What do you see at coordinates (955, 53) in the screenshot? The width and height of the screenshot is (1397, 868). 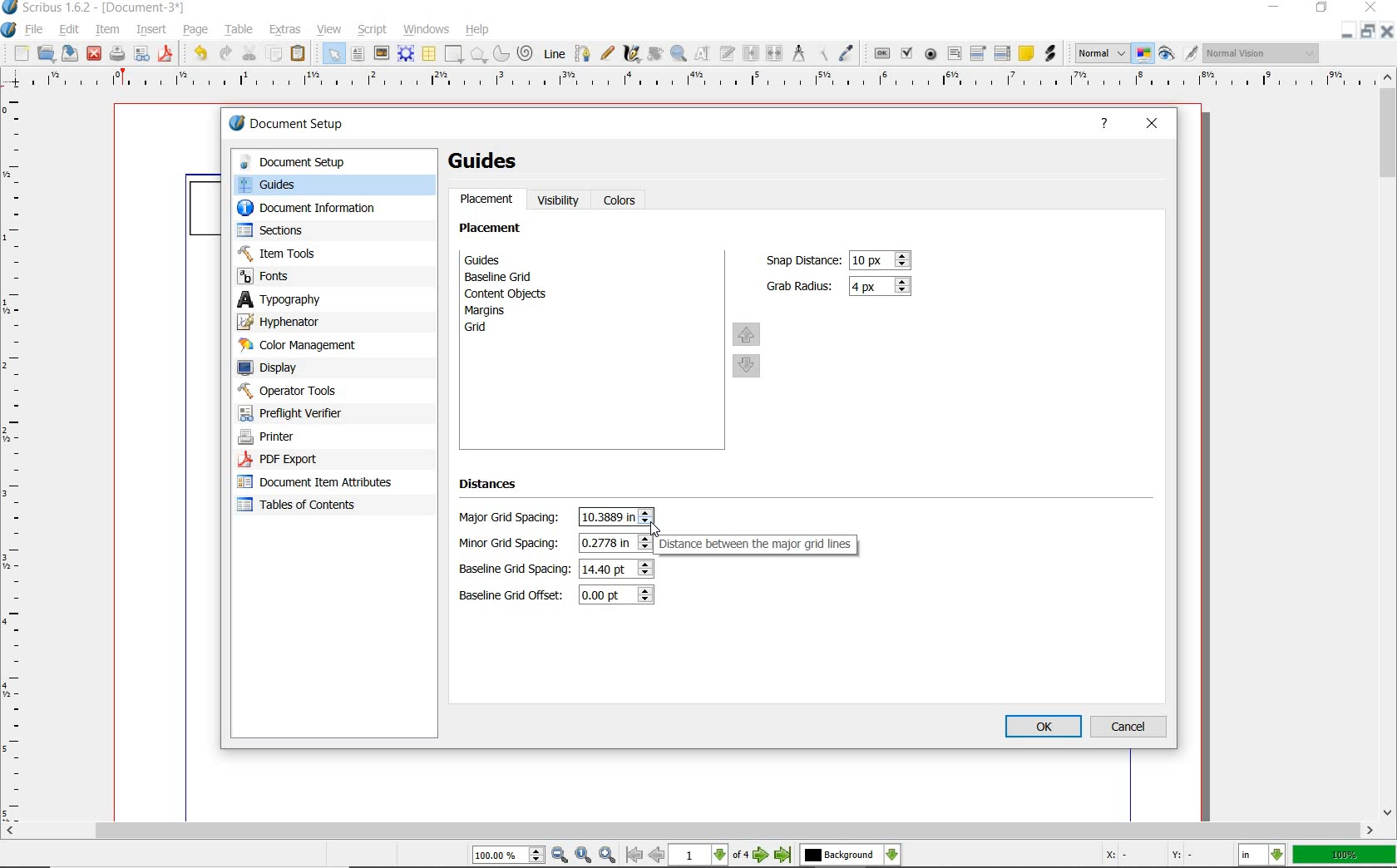 I see `pdf text field` at bounding box center [955, 53].